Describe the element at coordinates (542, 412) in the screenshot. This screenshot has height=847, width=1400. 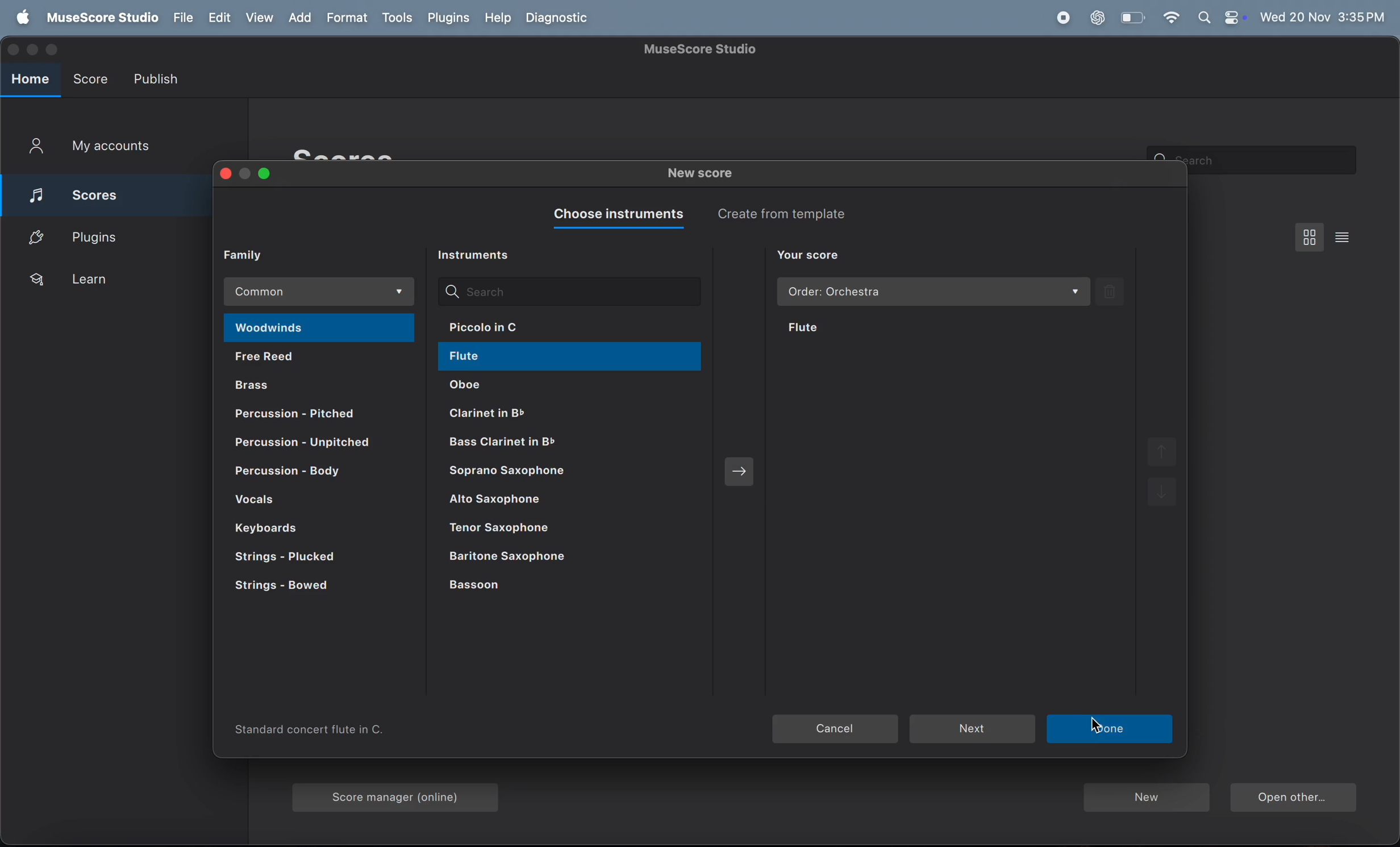
I see `clarinet` at that location.